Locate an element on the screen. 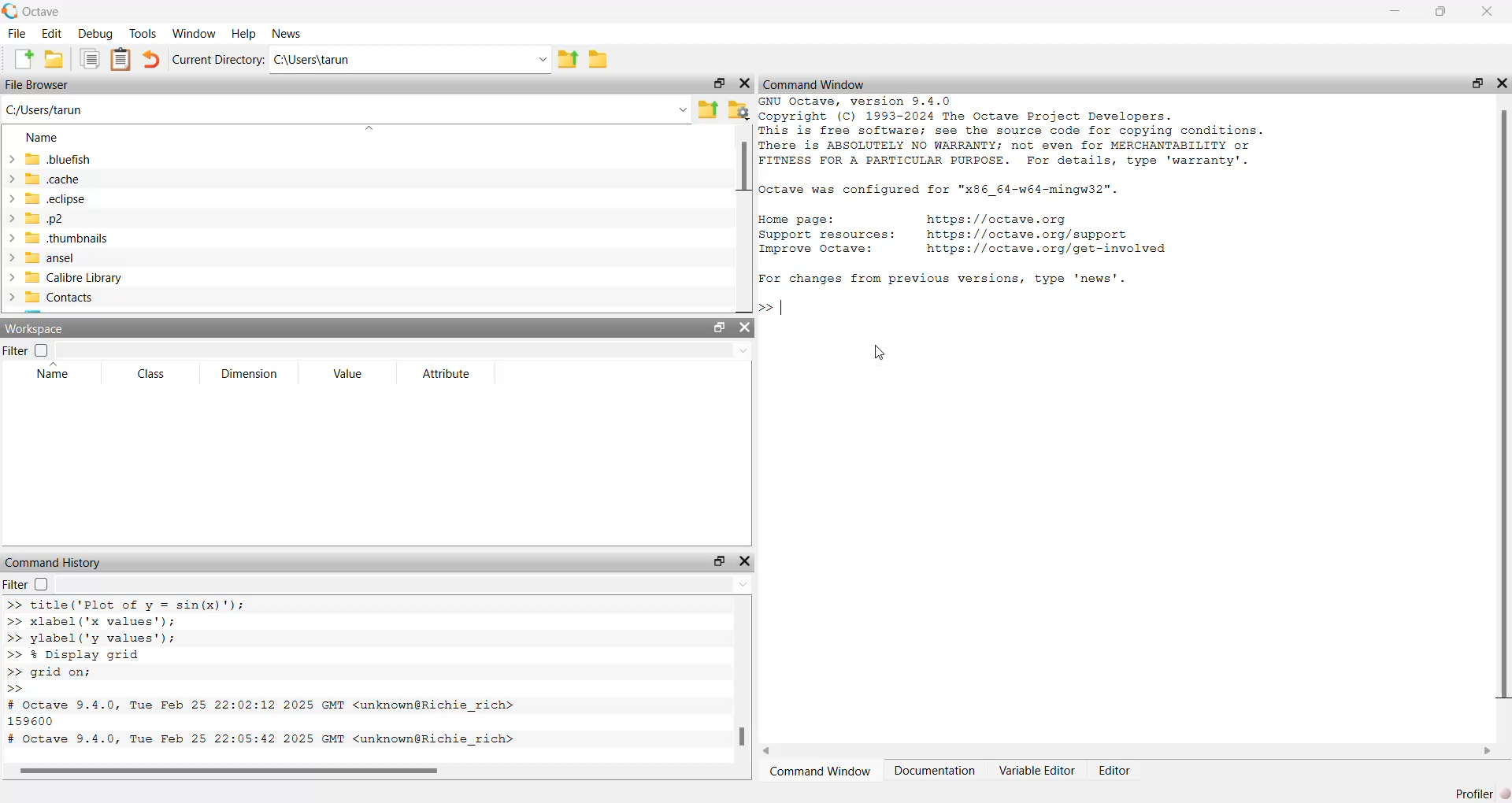 The width and height of the screenshot is (1512, 803). down is located at coordinates (742, 350).